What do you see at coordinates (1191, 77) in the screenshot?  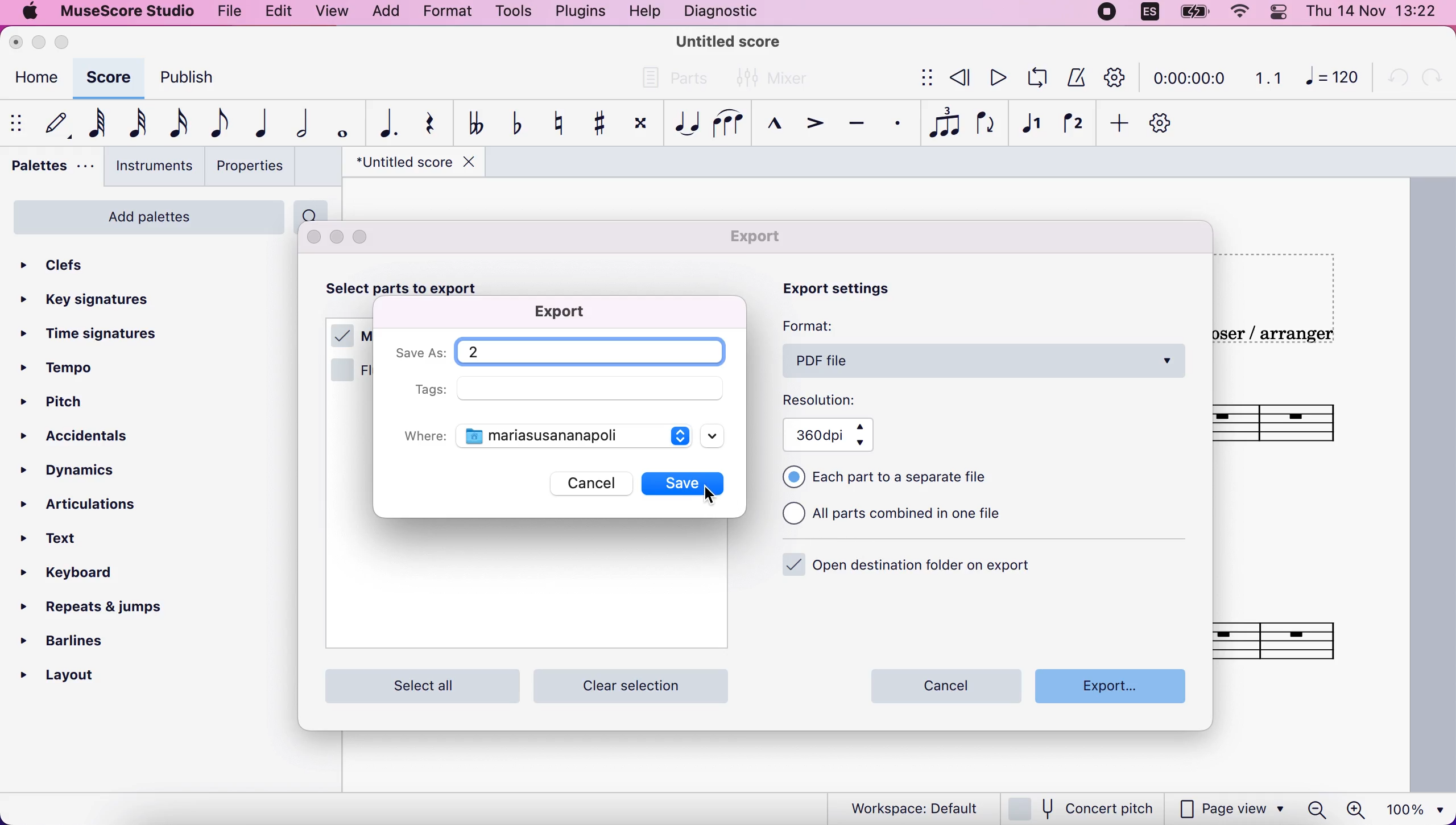 I see `time` at bounding box center [1191, 77].